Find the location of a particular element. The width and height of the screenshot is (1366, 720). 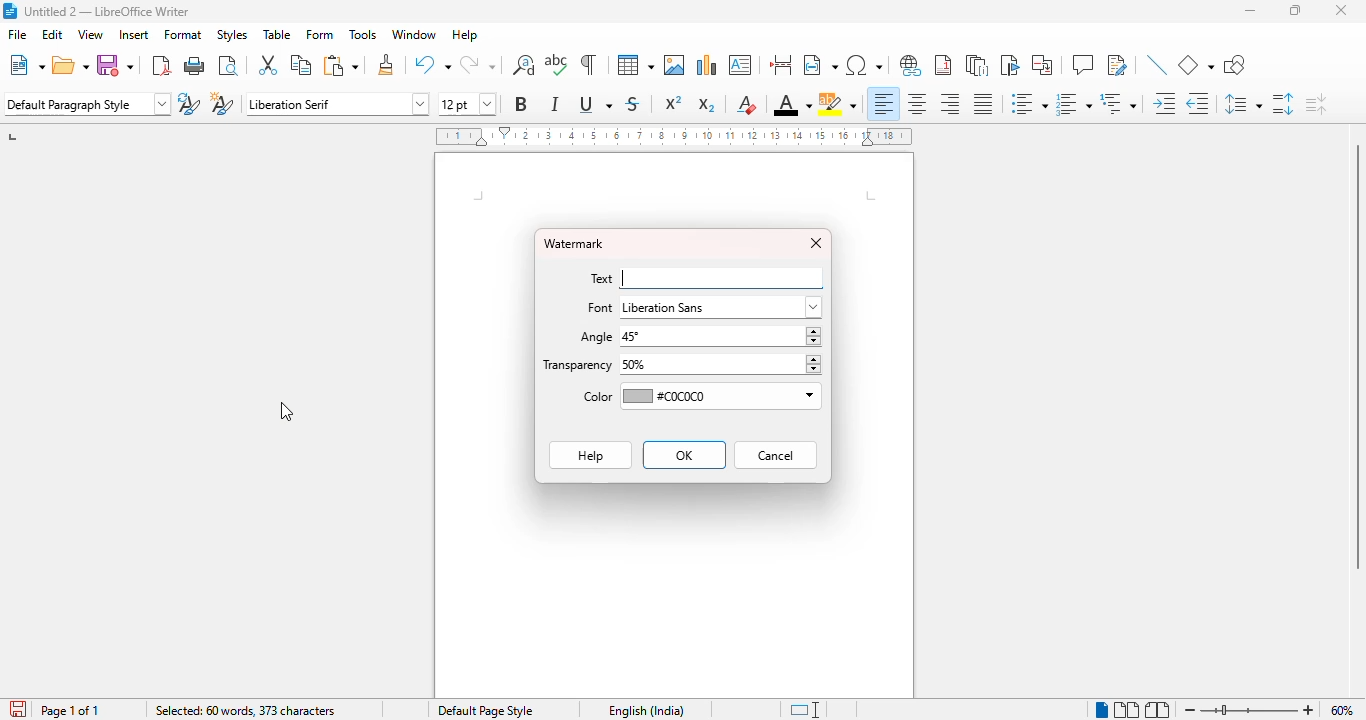

minimize is located at coordinates (1250, 11).